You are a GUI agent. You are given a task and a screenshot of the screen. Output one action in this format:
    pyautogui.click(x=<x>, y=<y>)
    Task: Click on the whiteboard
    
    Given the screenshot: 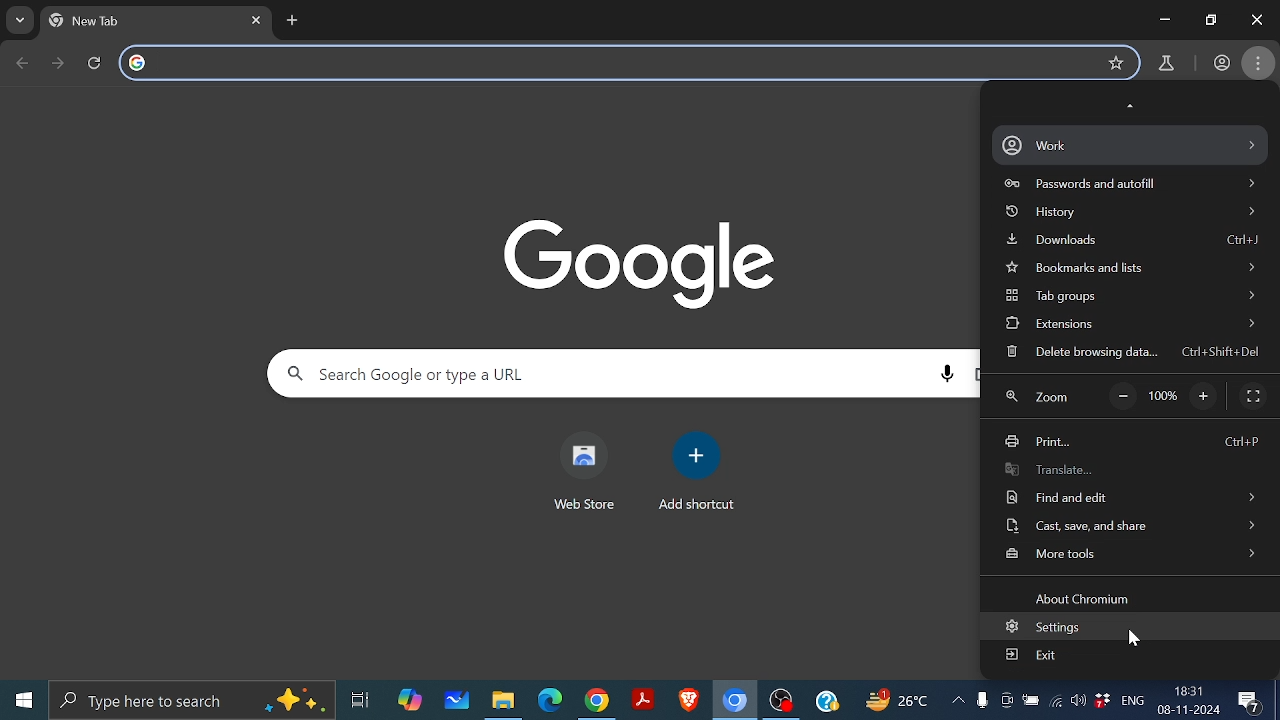 What is the action you would take?
    pyautogui.click(x=457, y=701)
    